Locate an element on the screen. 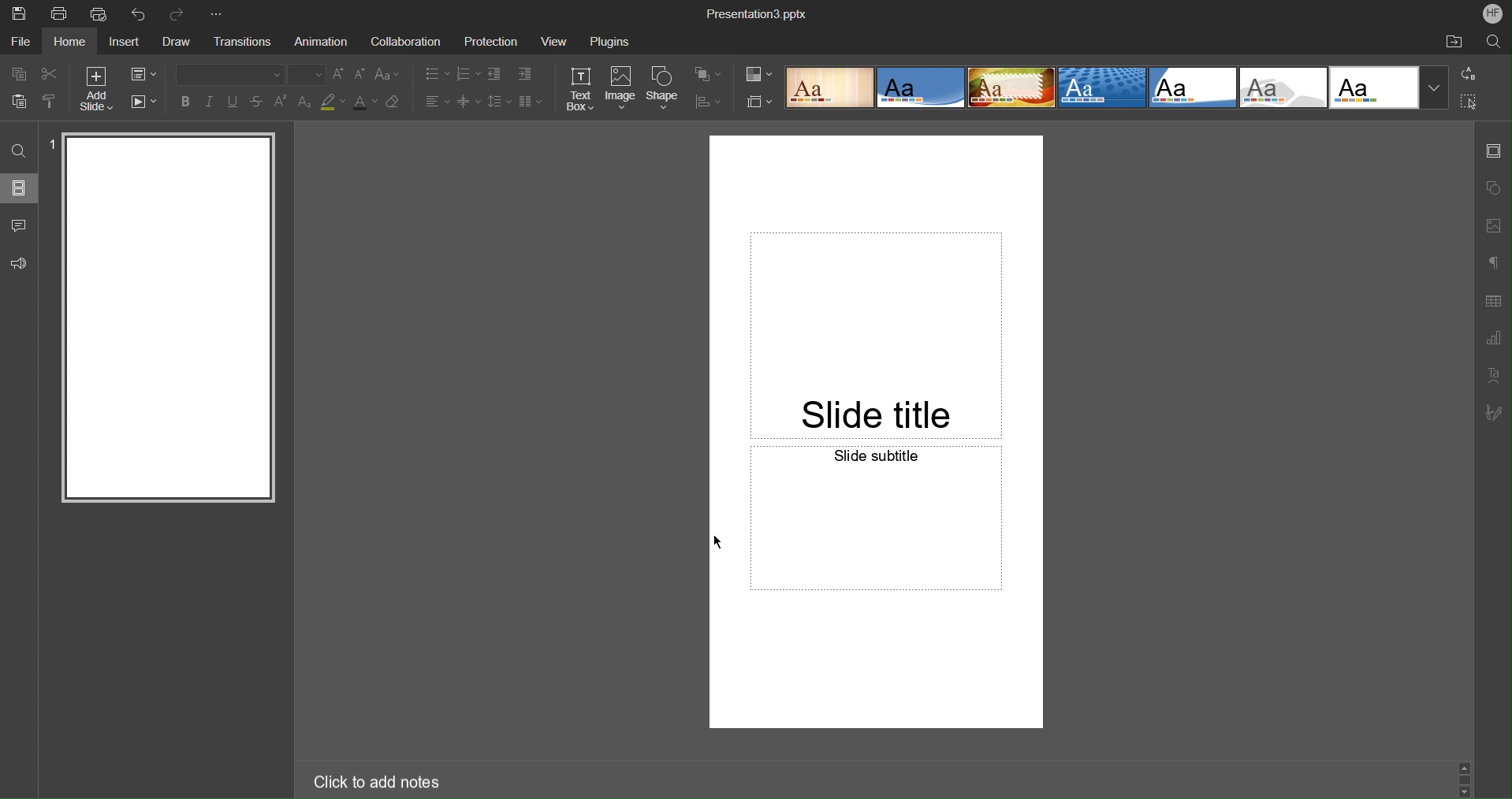  Graph is located at coordinates (1494, 339).